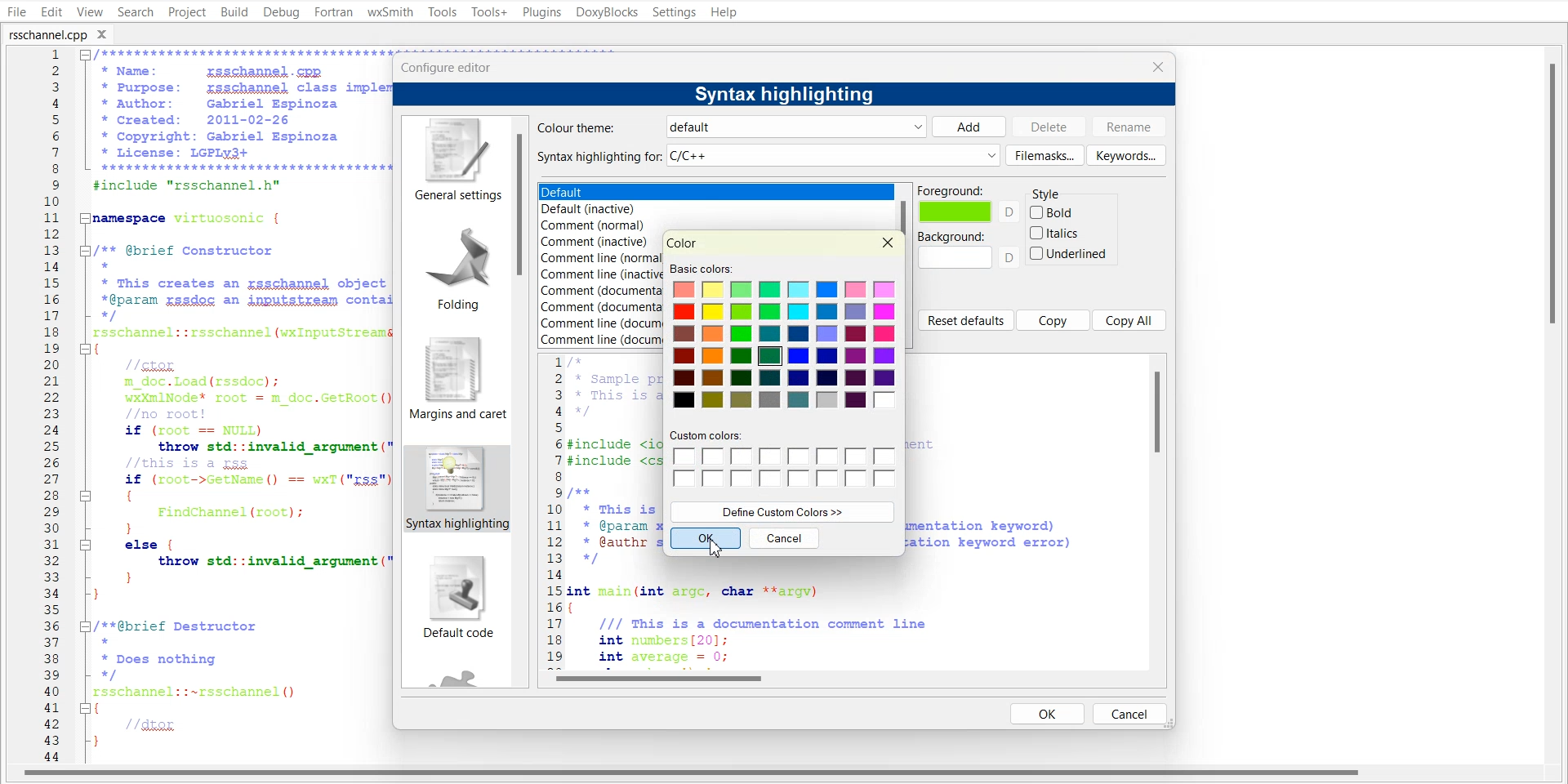 This screenshot has height=784, width=1568. Describe the element at coordinates (1158, 510) in the screenshot. I see `Vertical scroll bar` at that location.